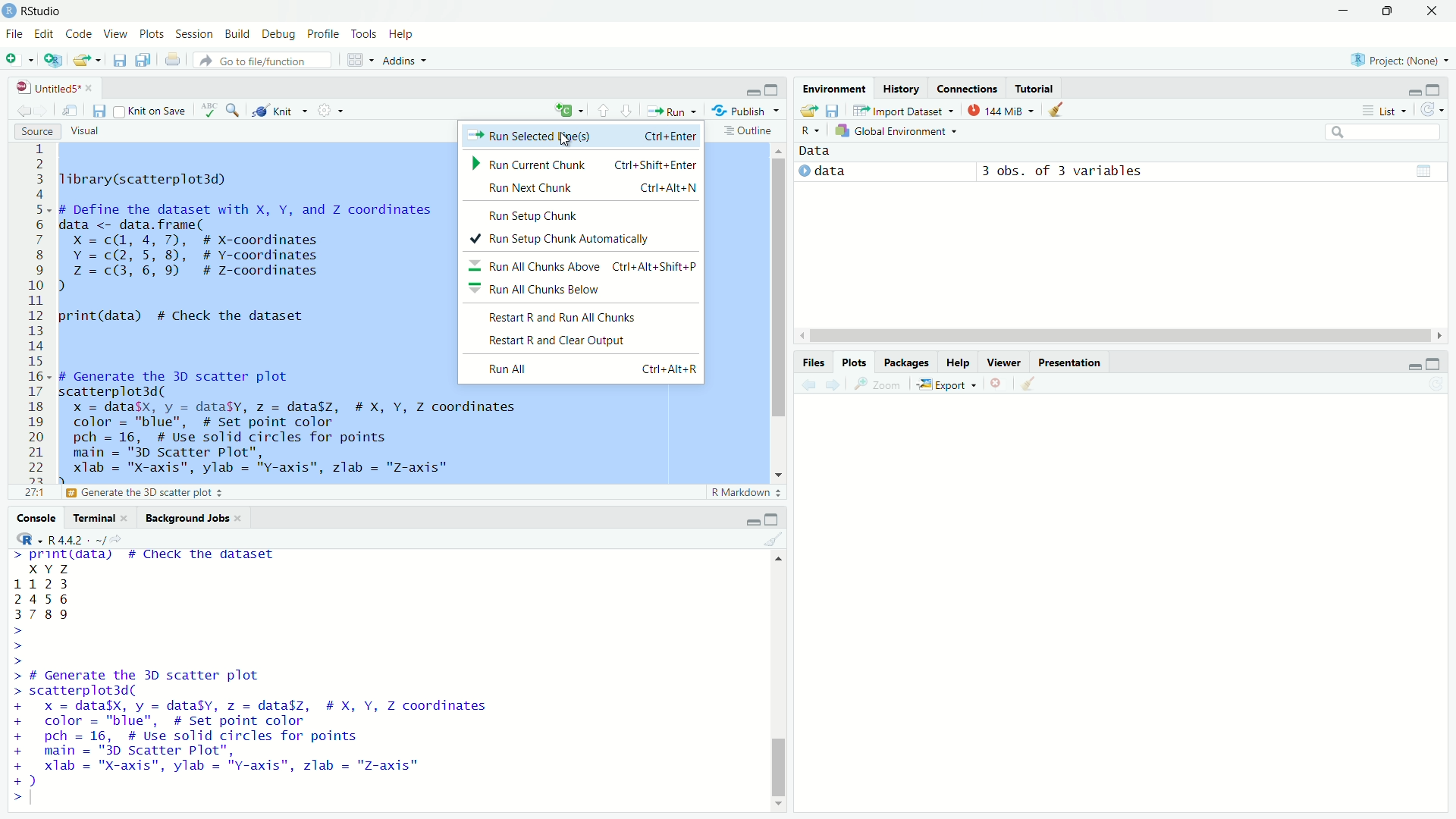 The image size is (1456, 819). Describe the element at coordinates (127, 519) in the screenshot. I see `close` at that location.